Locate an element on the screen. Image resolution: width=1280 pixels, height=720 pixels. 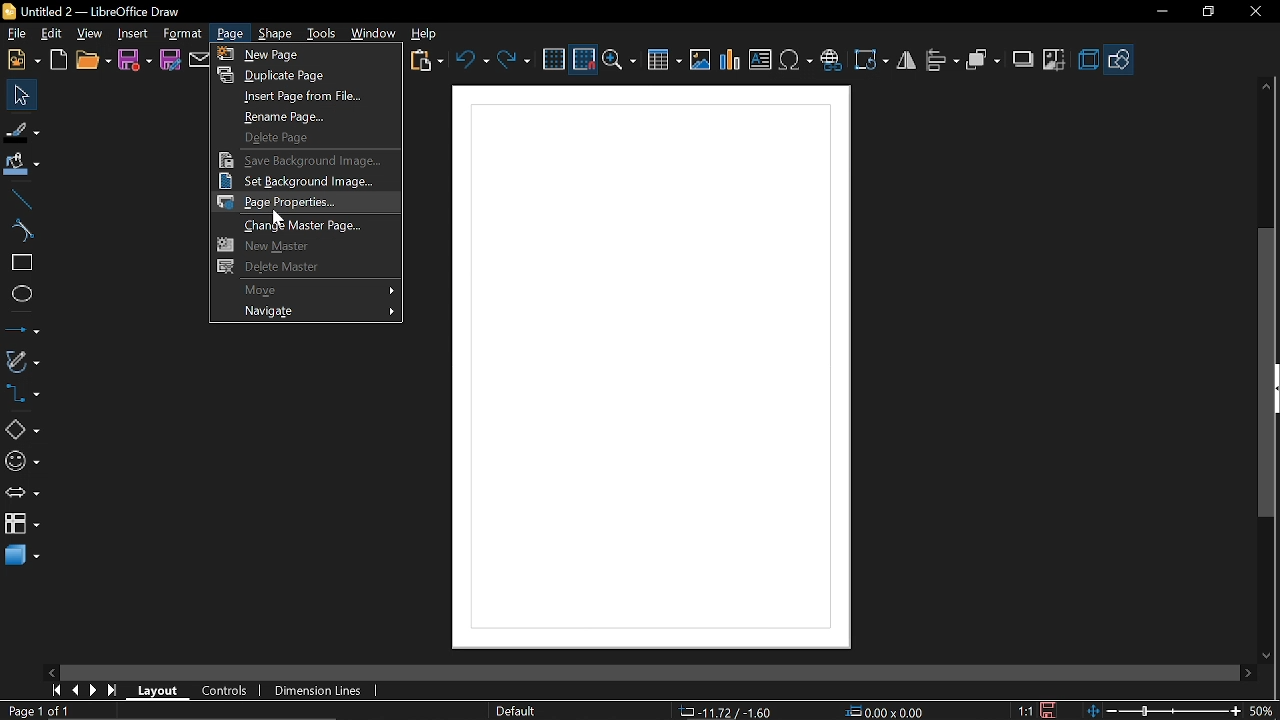
flip is located at coordinates (906, 61).